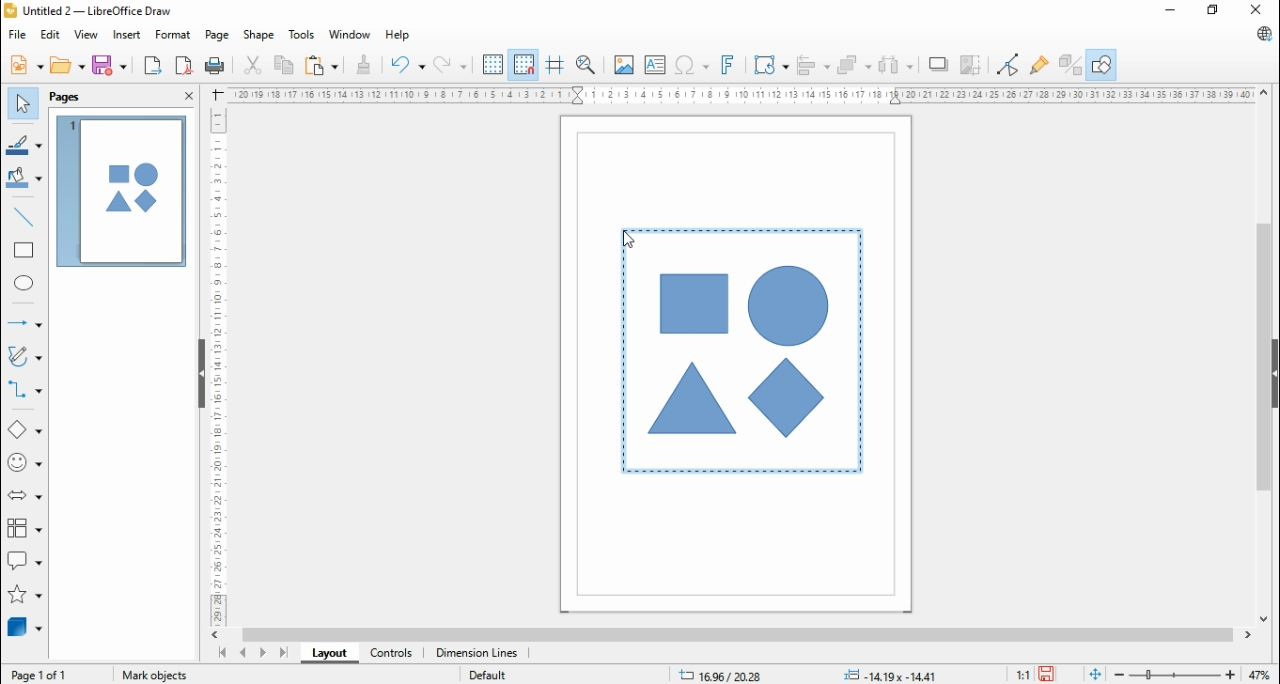  Describe the element at coordinates (1169, 10) in the screenshot. I see `minimize` at that location.